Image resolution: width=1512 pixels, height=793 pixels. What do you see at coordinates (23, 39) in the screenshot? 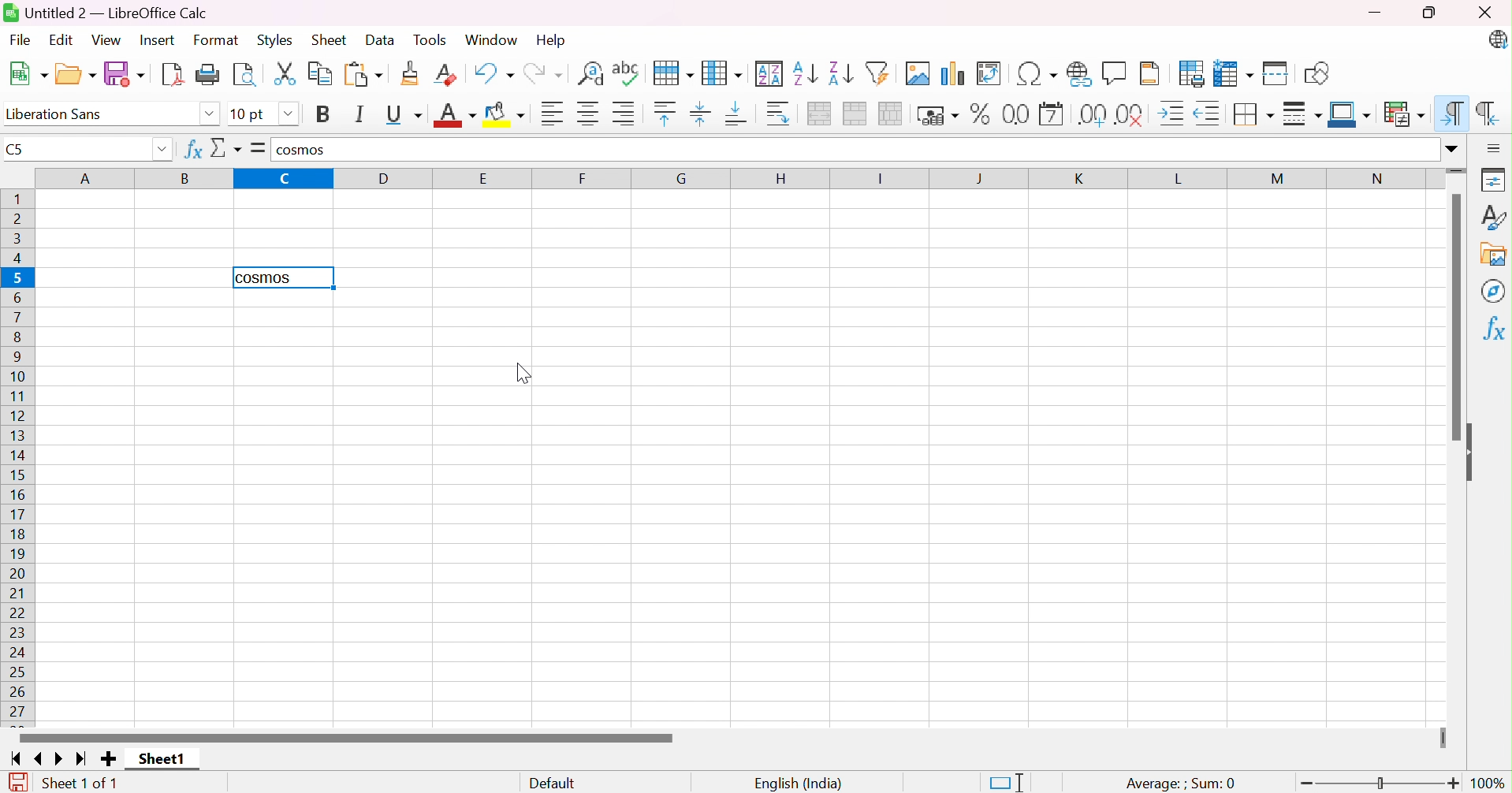
I see `File` at bounding box center [23, 39].